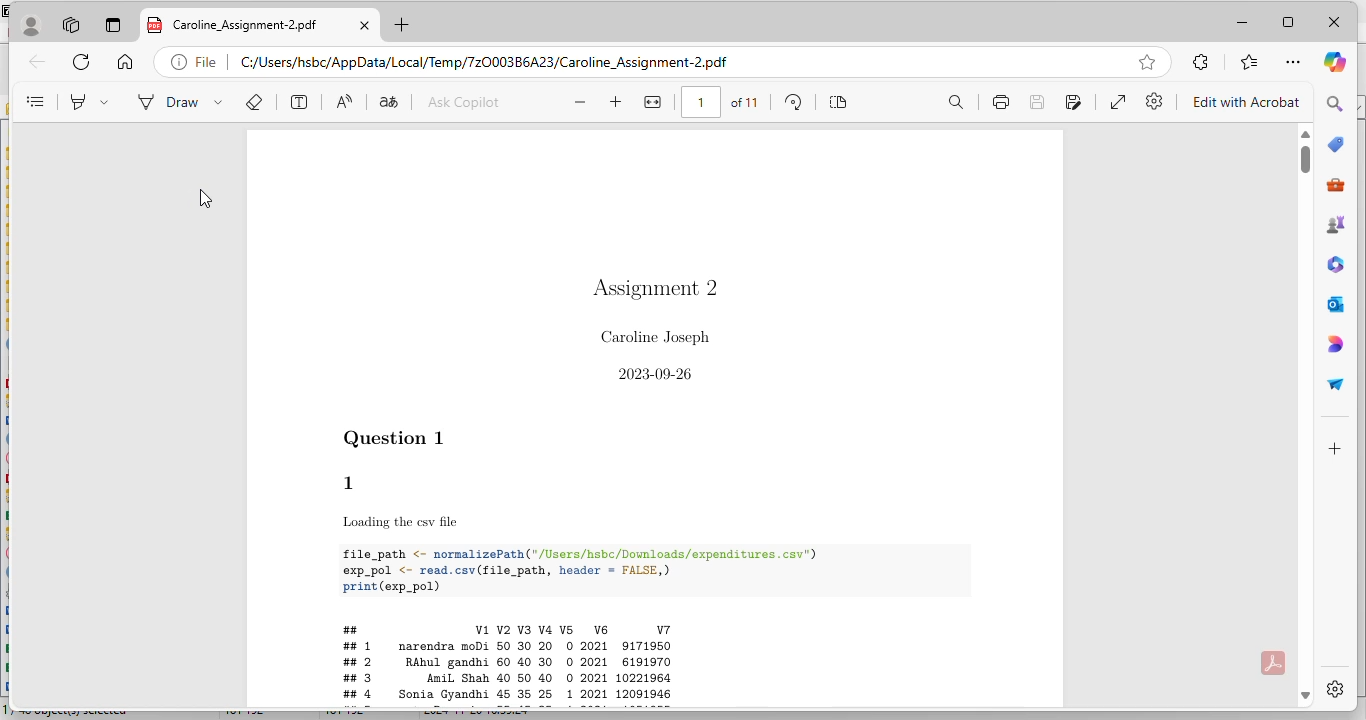  Describe the element at coordinates (181, 101) in the screenshot. I see `draw` at that location.